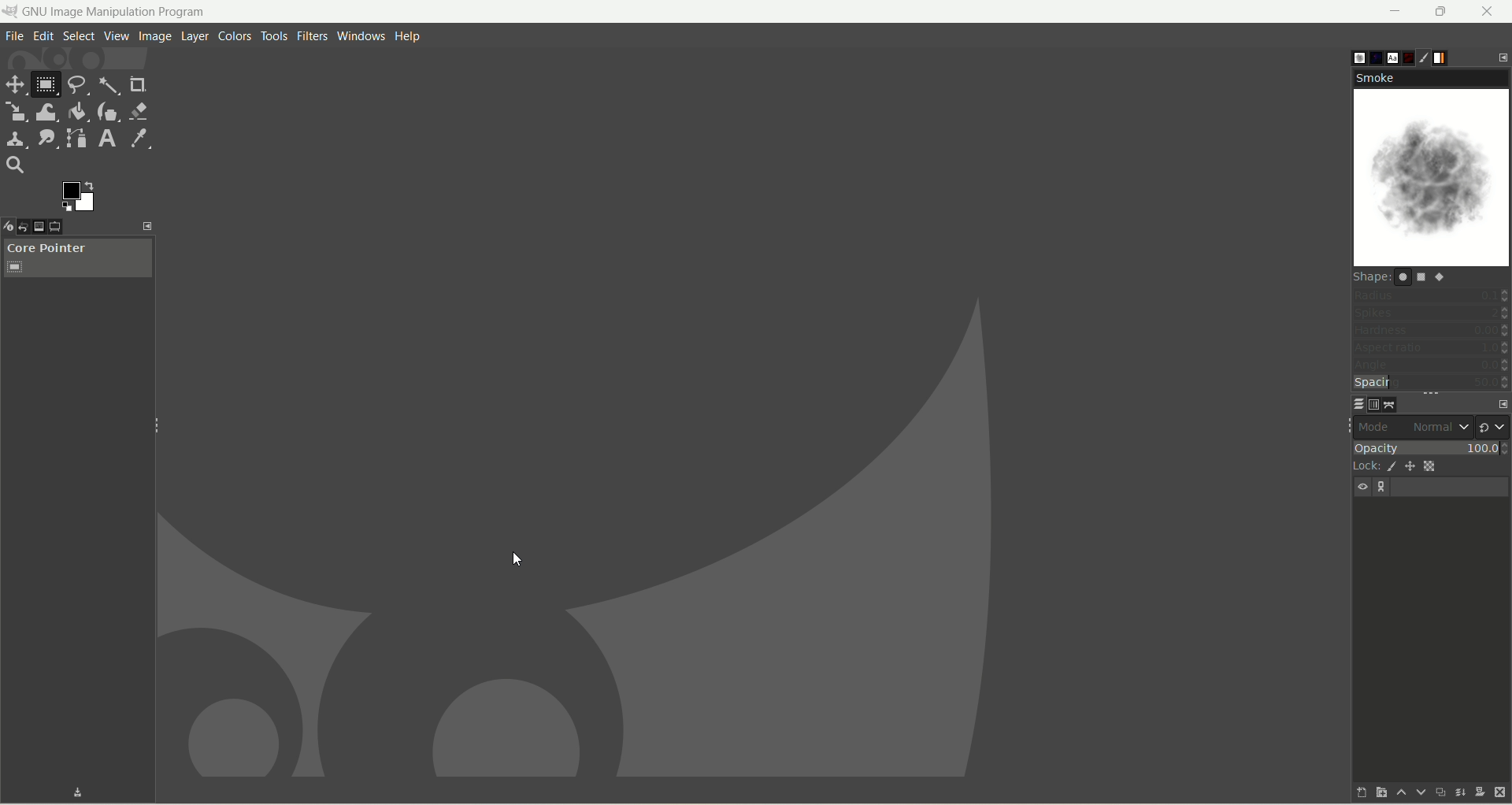 This screenshot has height=805, width=1512. I want to click on paths tool, so click(75, 138).